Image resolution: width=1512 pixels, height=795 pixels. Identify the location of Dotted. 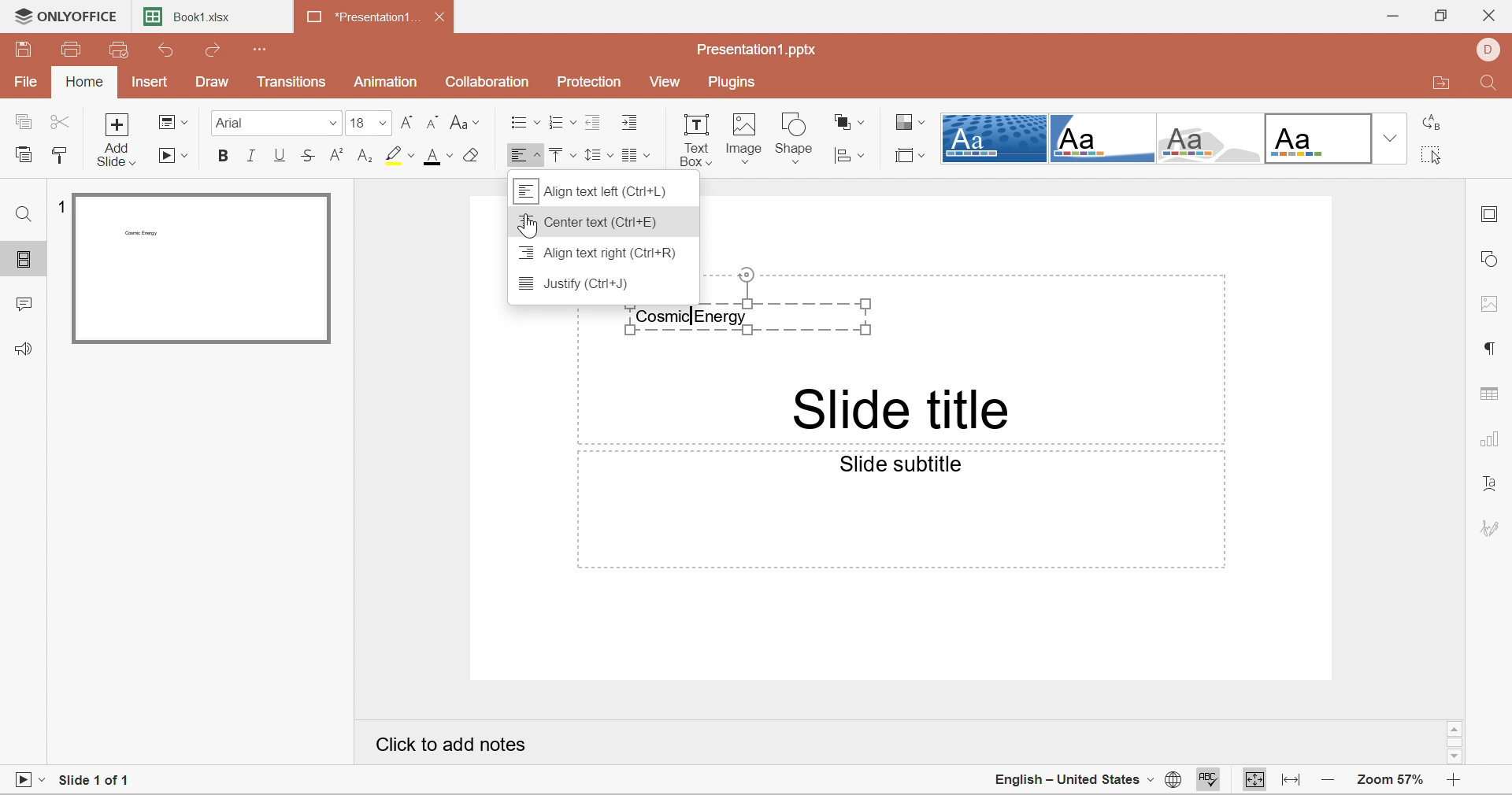
(994, 138).